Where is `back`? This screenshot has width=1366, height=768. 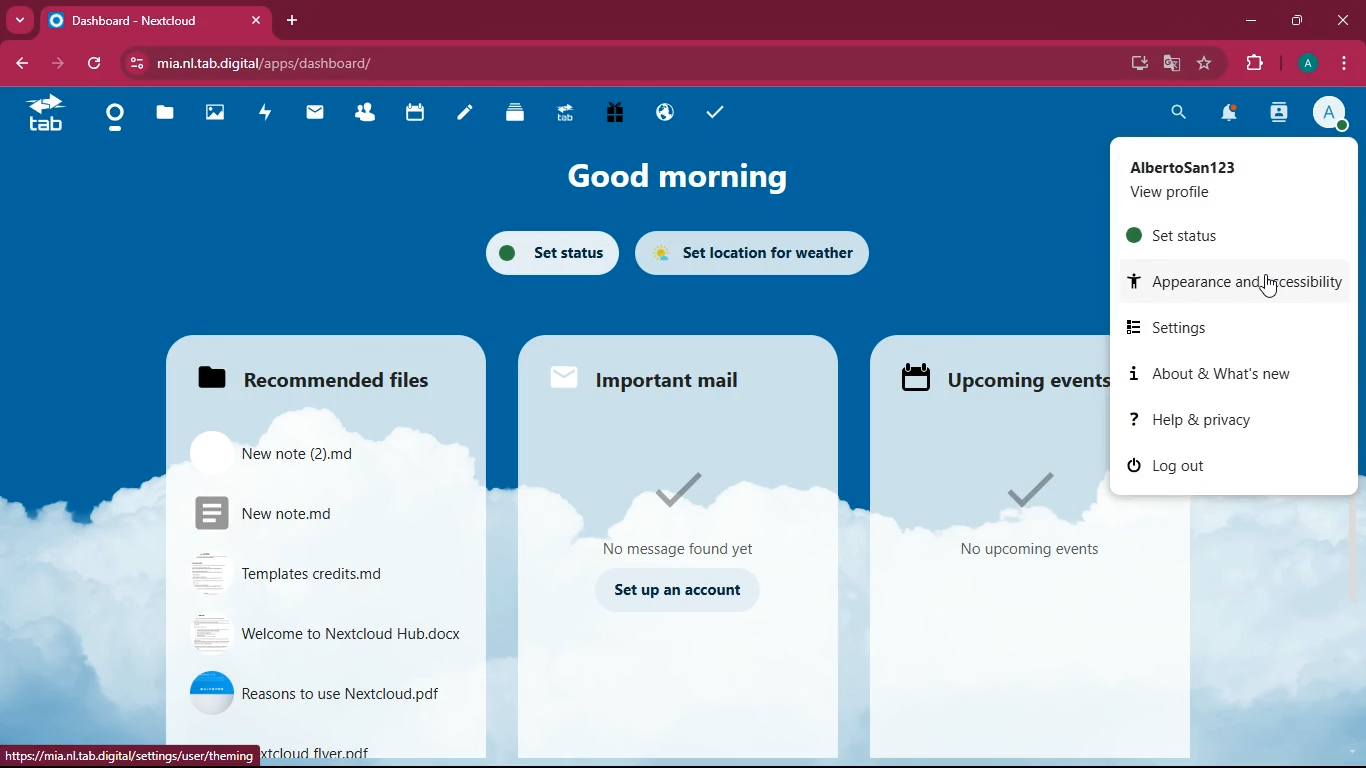
back is located at coordinates (26, 63).